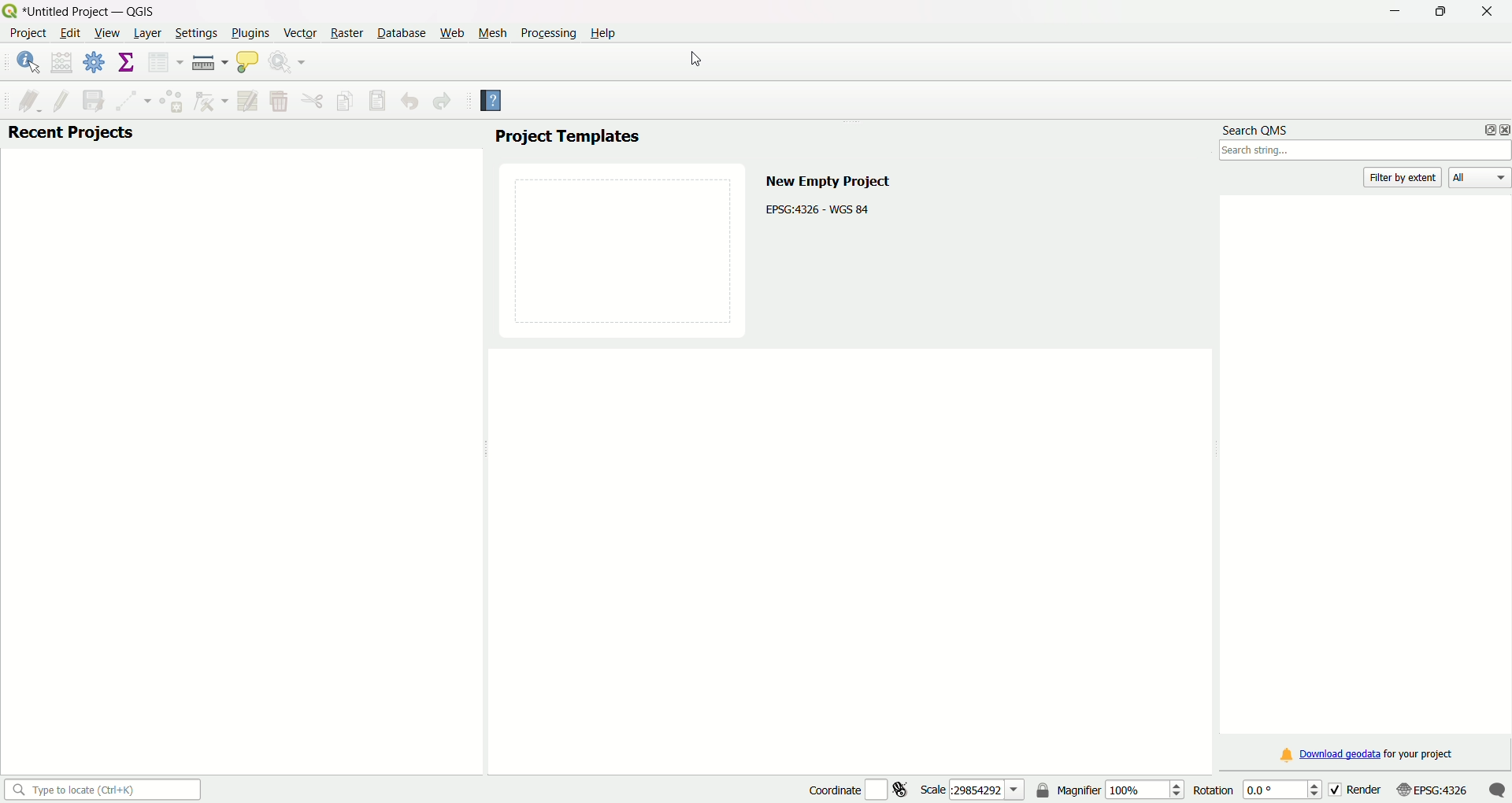  Describe the element at coordinates (492, 102) in the screenshot. I see `help contents` at that location.